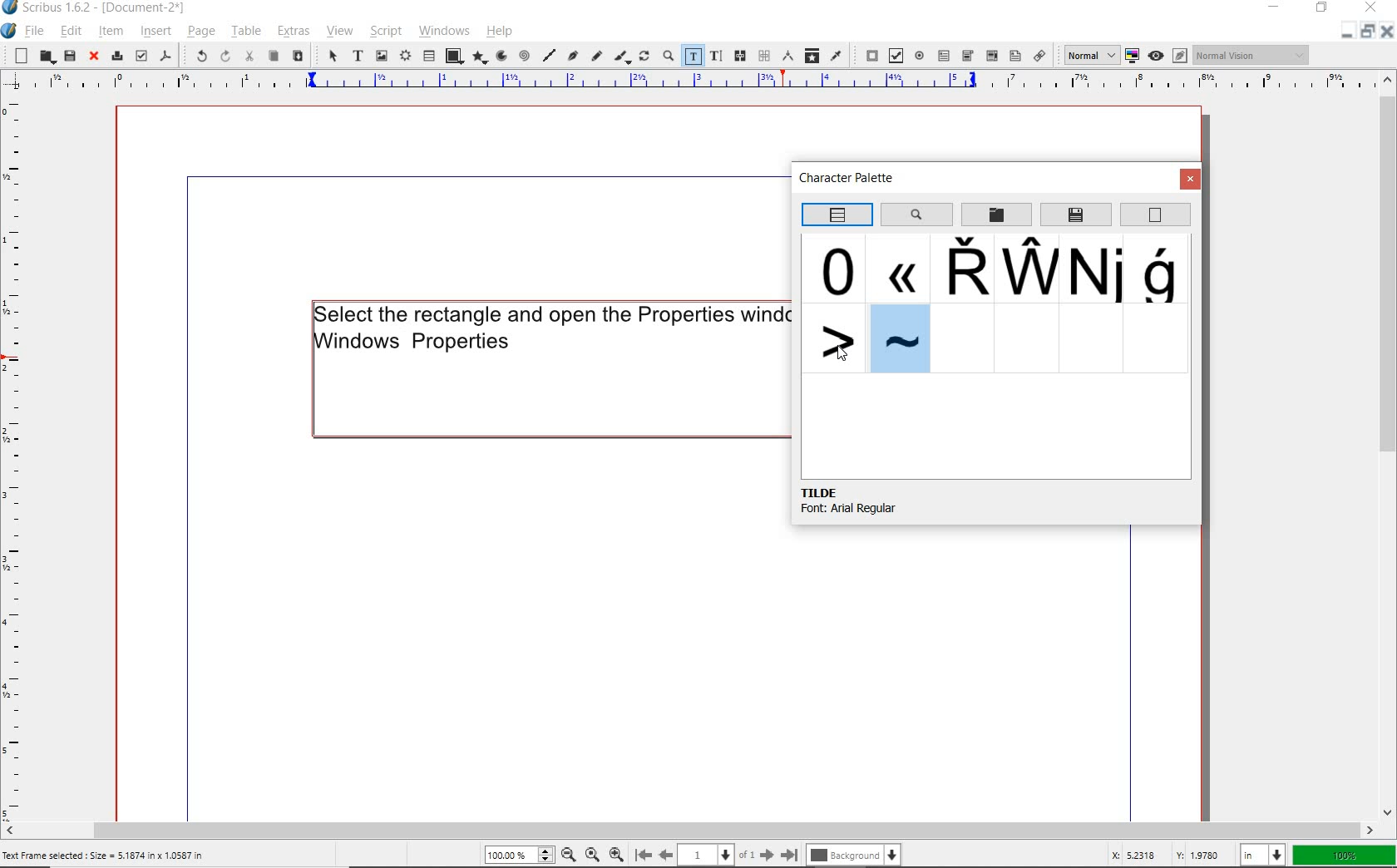 The width and height of the screenshot is (1397, 868). What do you see at coordinates (919, 55) in the screenshot?
I see `pdf radio button` at bounding box center [919, 55].